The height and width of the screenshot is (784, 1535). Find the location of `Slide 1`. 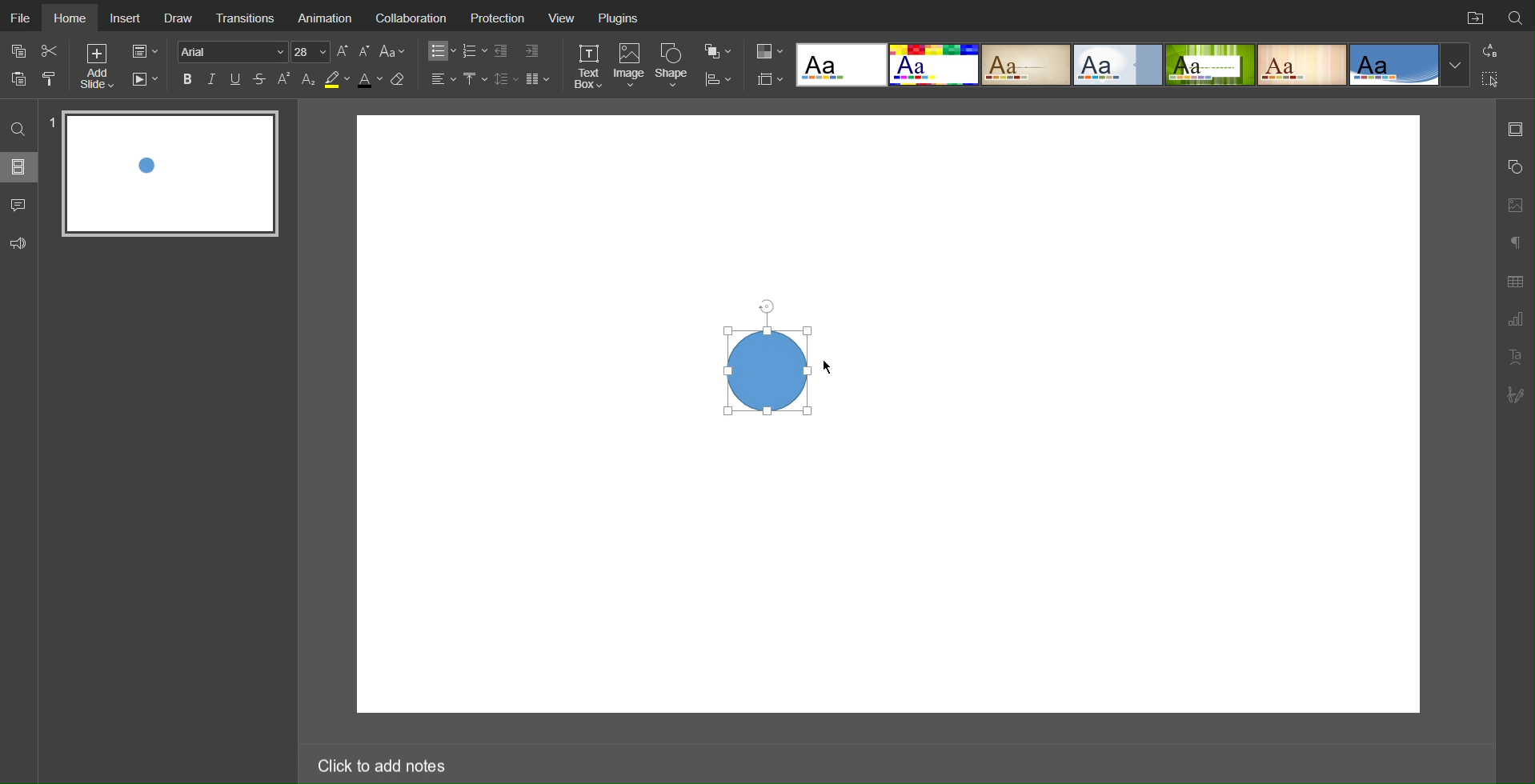

Slide 1 is located at coordinates (168, 172).